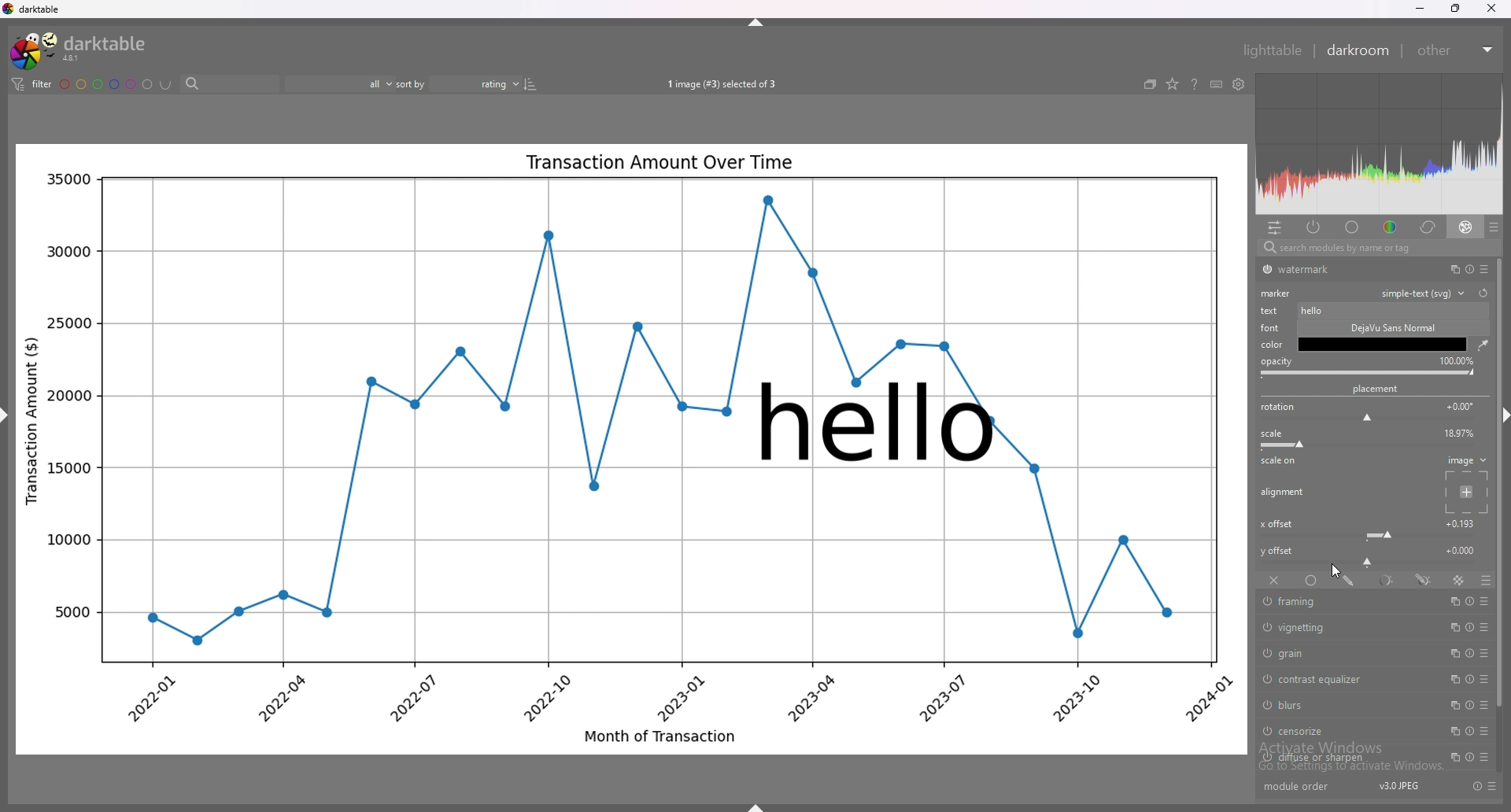 The width and height of the screenshot is (1511, 812). I want to click on hide, so click(764, 800).